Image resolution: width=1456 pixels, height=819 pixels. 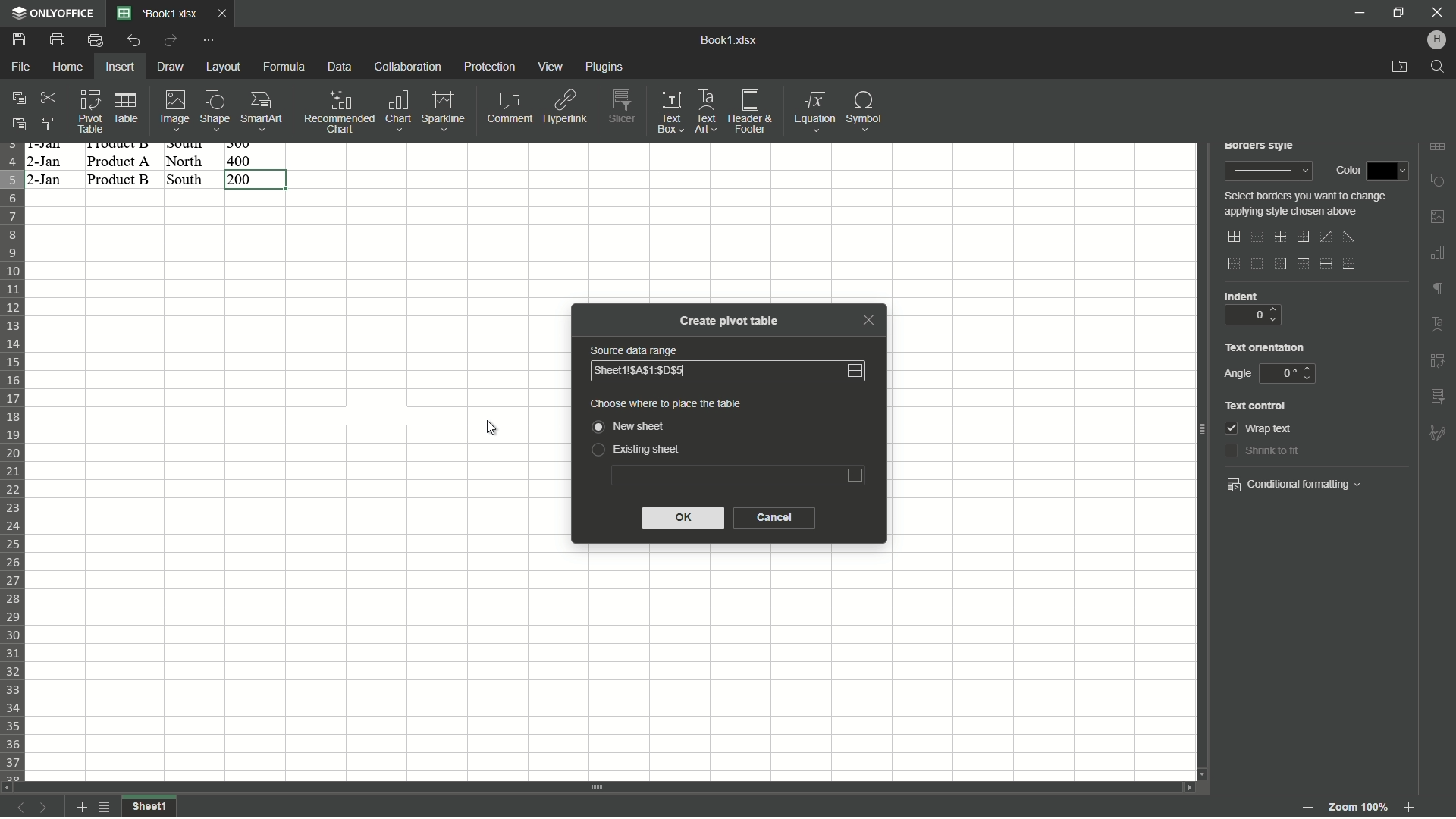 What do you see at coordinates (1310, 367) in the screenshot?
I see `up` at bounding box center [1310, 367].